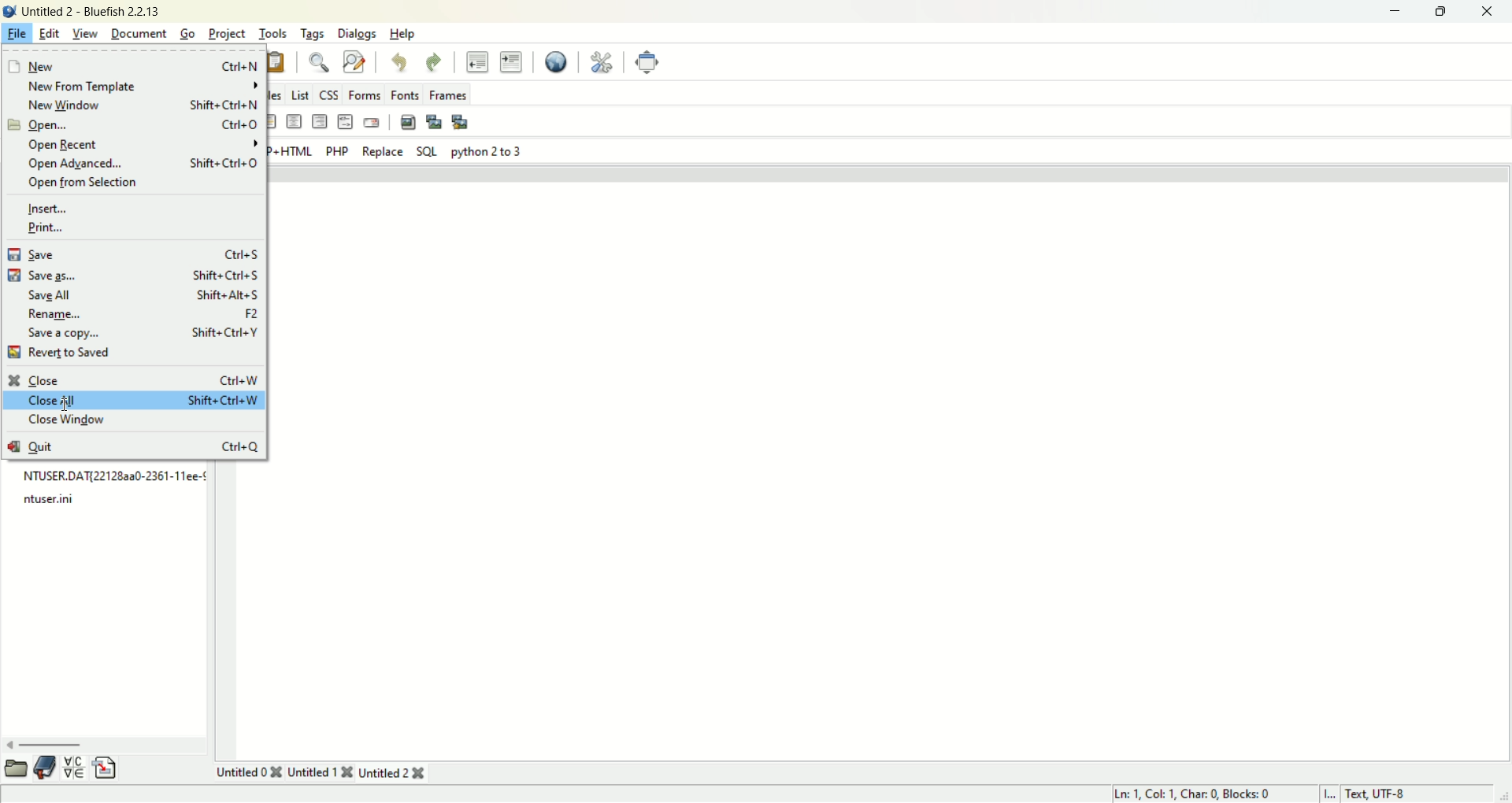 This screenshot has height=803, width=1512. I want to click on quit, so click(133, 444).